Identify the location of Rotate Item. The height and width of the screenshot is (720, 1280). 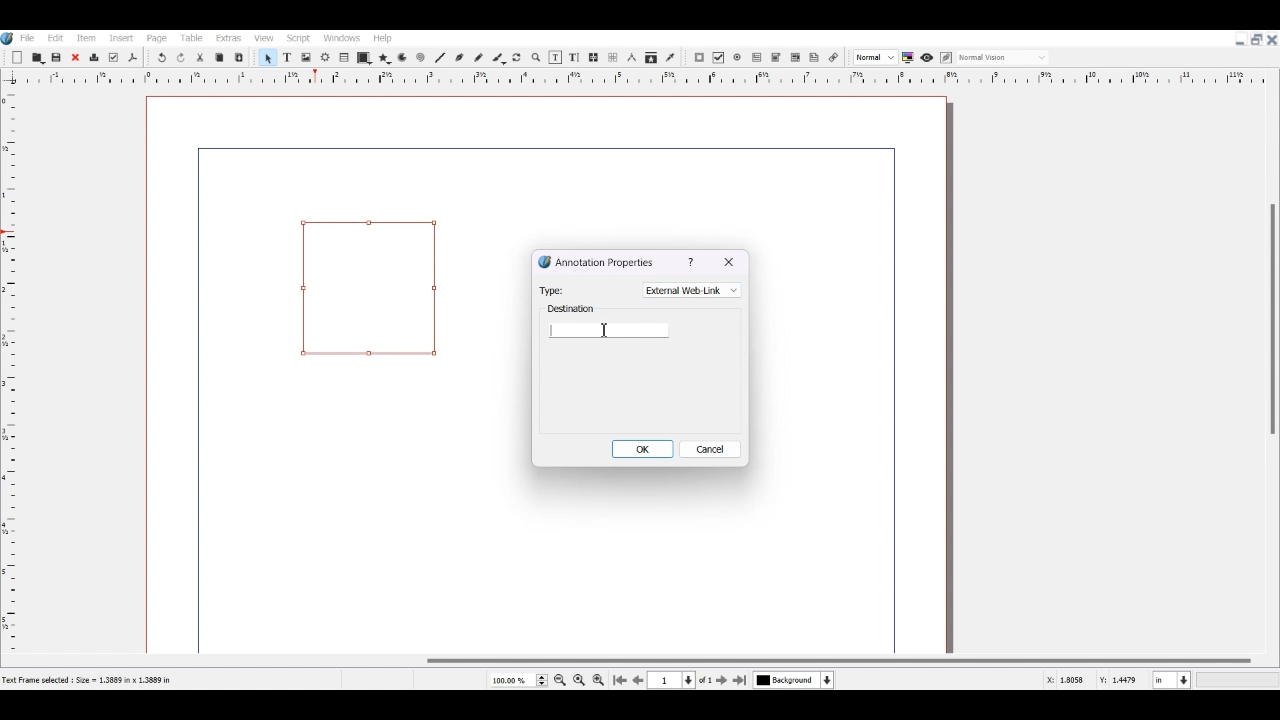
(518, 58).